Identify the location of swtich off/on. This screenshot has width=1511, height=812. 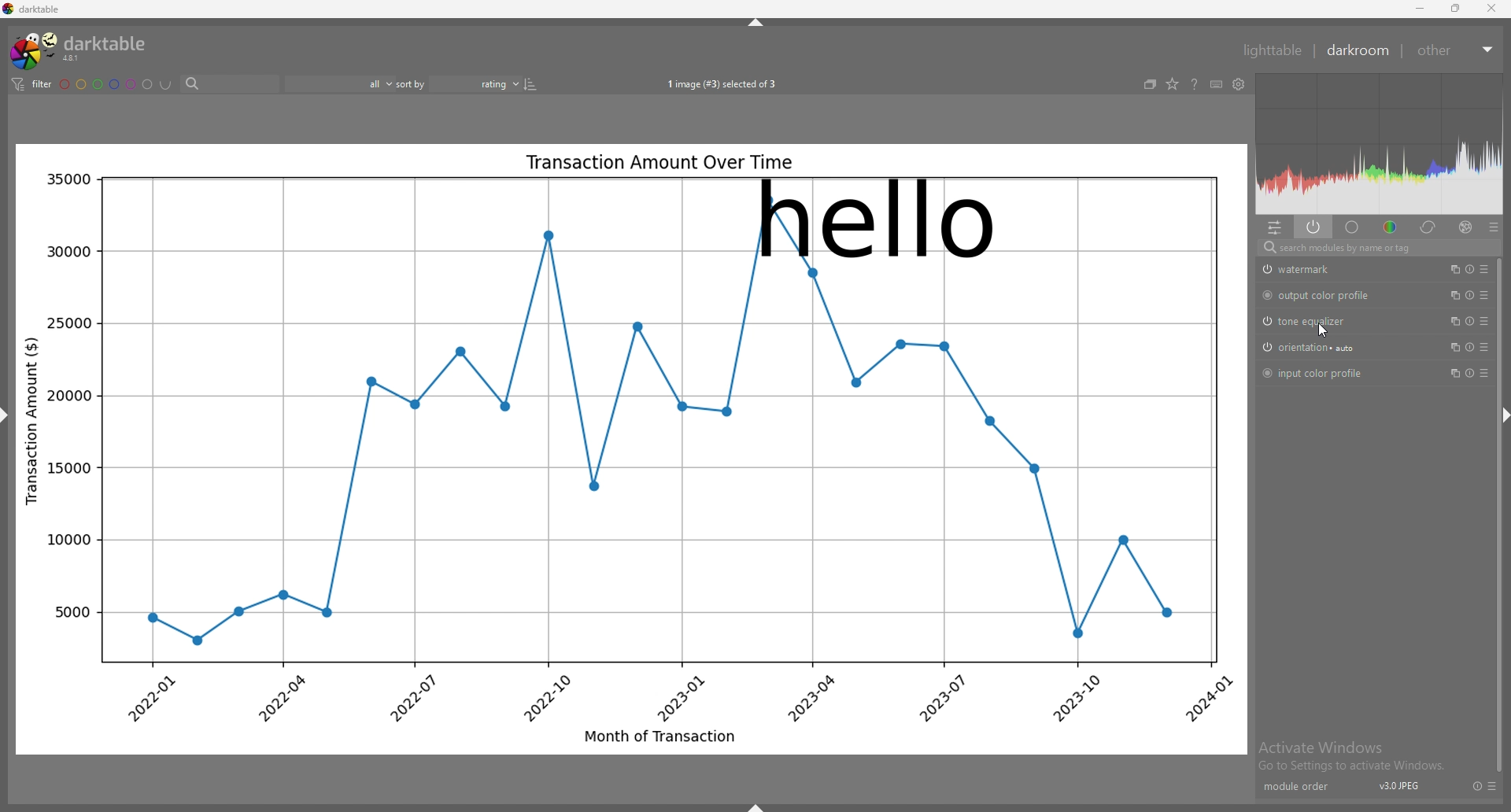
(1265, 269).